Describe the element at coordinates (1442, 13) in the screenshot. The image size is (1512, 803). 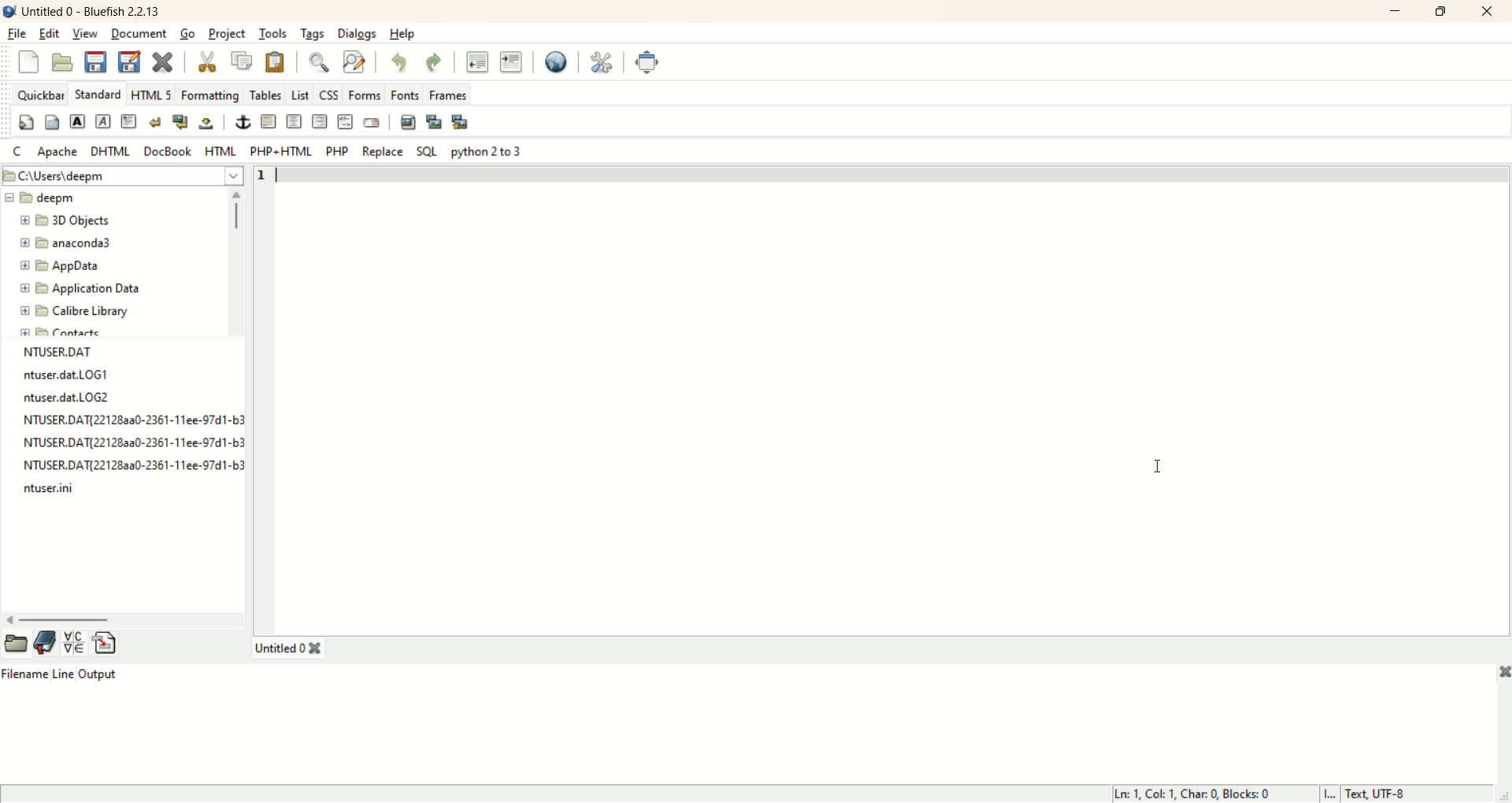
I see `maximize` at that location.